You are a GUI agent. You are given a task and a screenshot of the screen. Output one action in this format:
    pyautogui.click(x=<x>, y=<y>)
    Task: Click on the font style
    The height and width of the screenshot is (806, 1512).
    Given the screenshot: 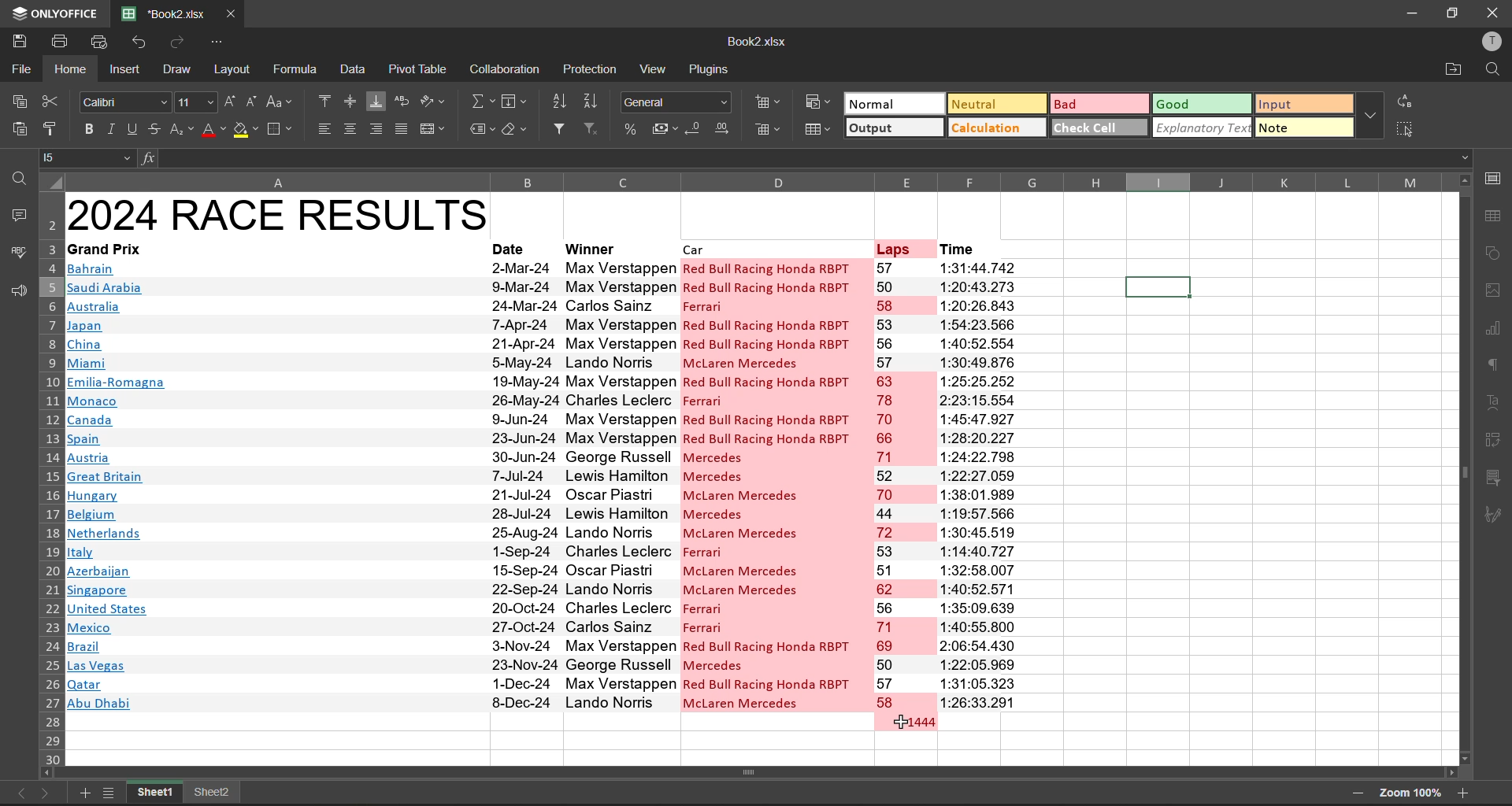 What is the action you would take?
    pyautogui.click(x=124, y=103)
    